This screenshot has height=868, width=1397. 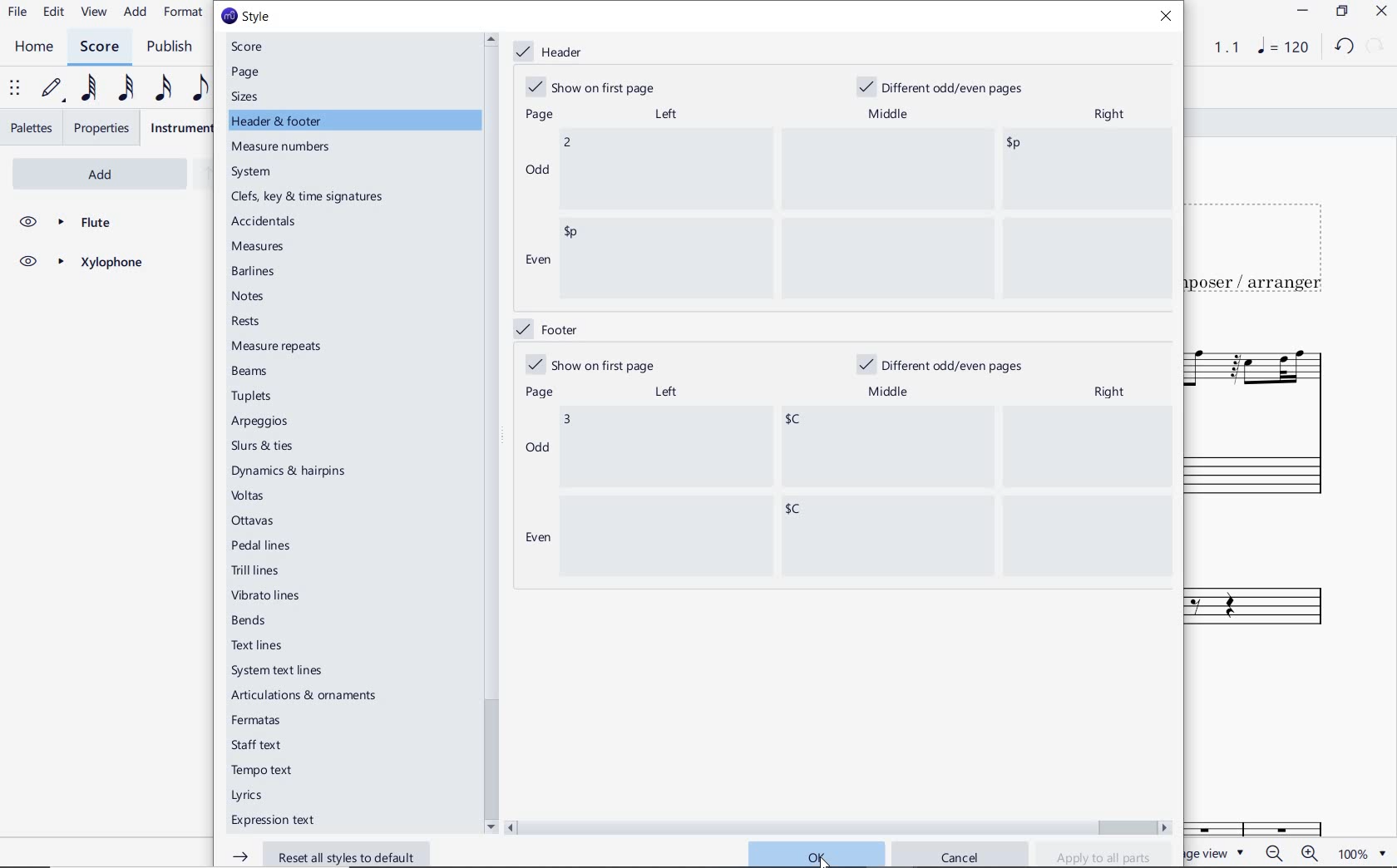 I want to click on different odd/even pages, so click(x=946, y=85).